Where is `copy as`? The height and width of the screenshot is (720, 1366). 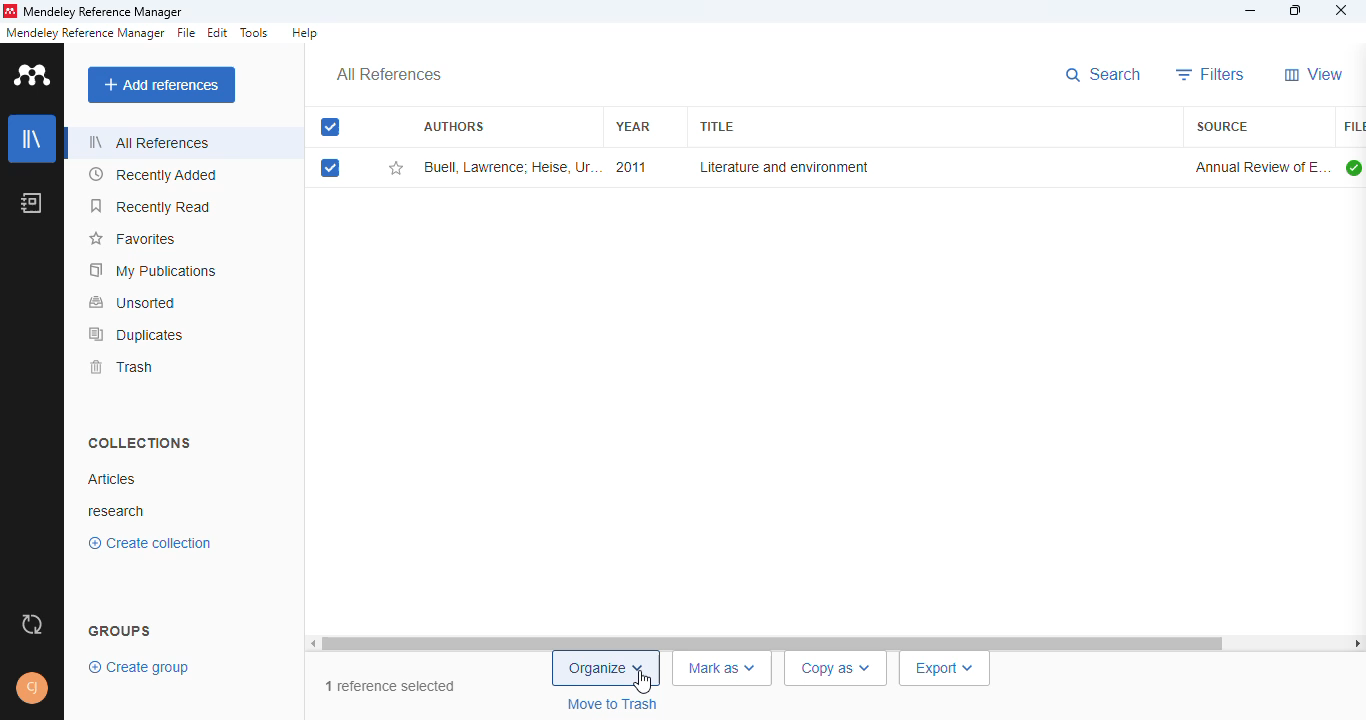
copy as is located at coordinates (838, 668).